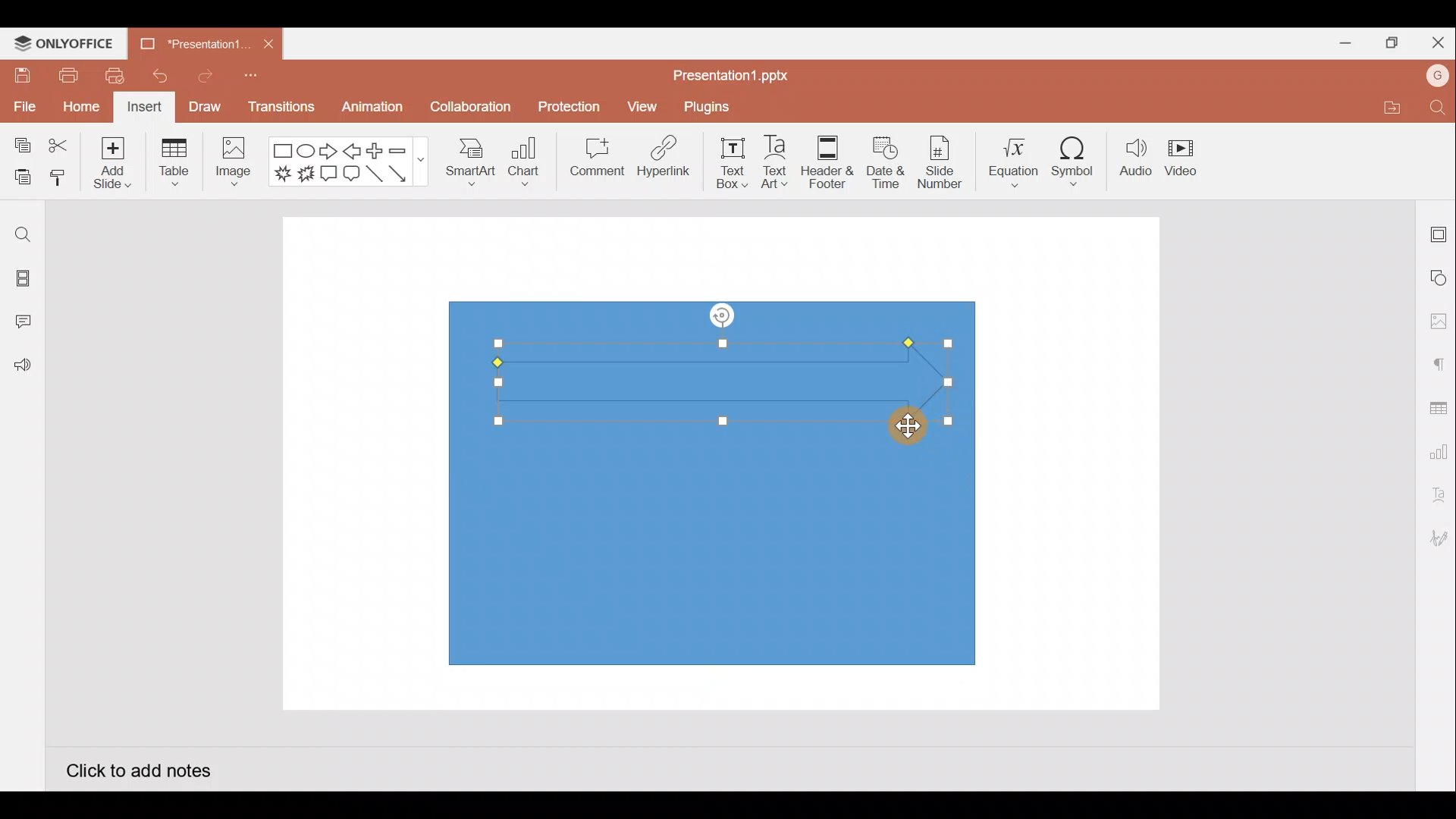  What do you see at coordinates (1439, 322) in the screenshot?
I see `Image settings` at bounding box center [1439, 322].